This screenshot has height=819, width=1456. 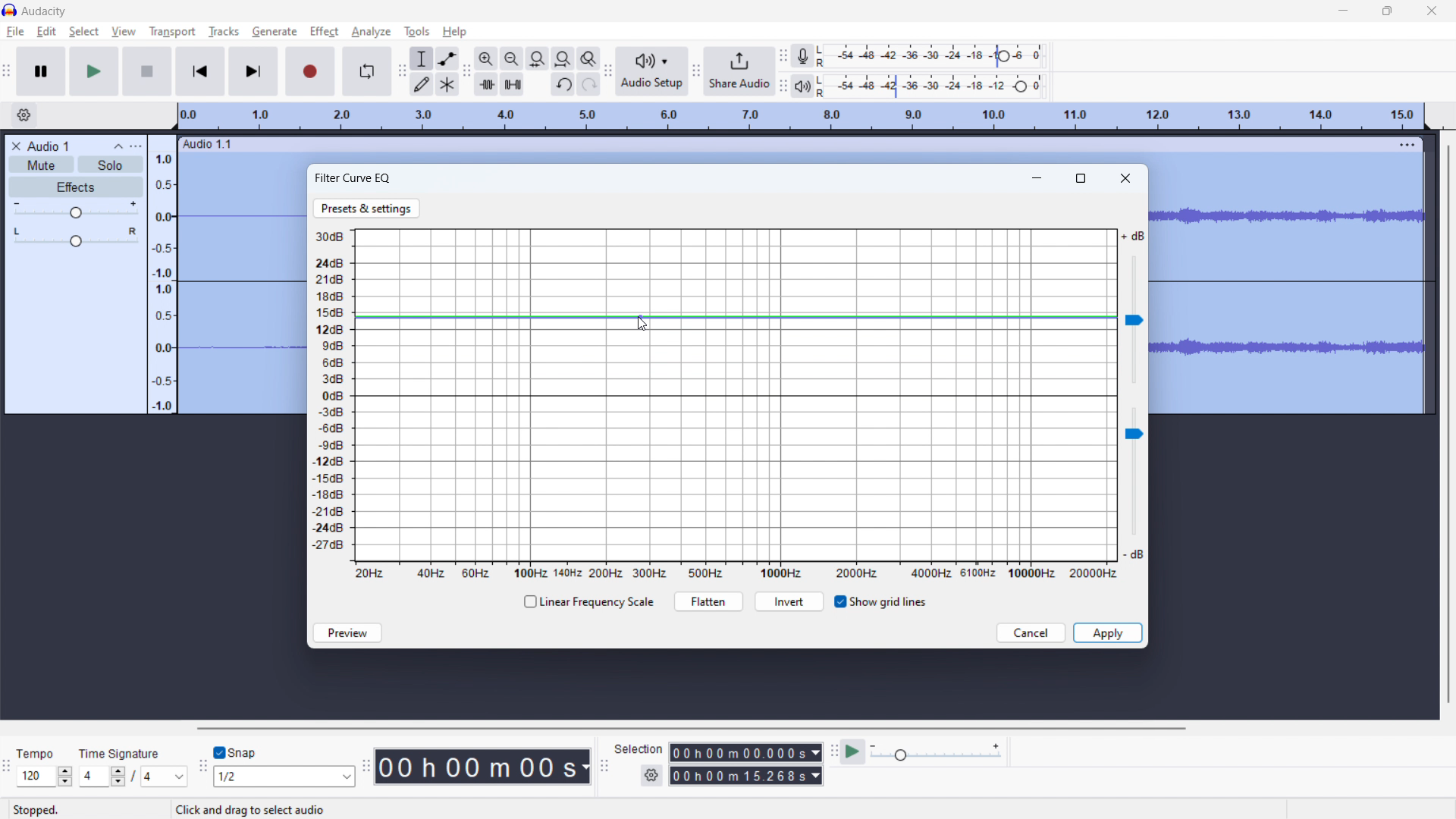 What do you see at coordinates (1126, 177) in the screenshot?
I see `close` at bounding box center [1126, 177].